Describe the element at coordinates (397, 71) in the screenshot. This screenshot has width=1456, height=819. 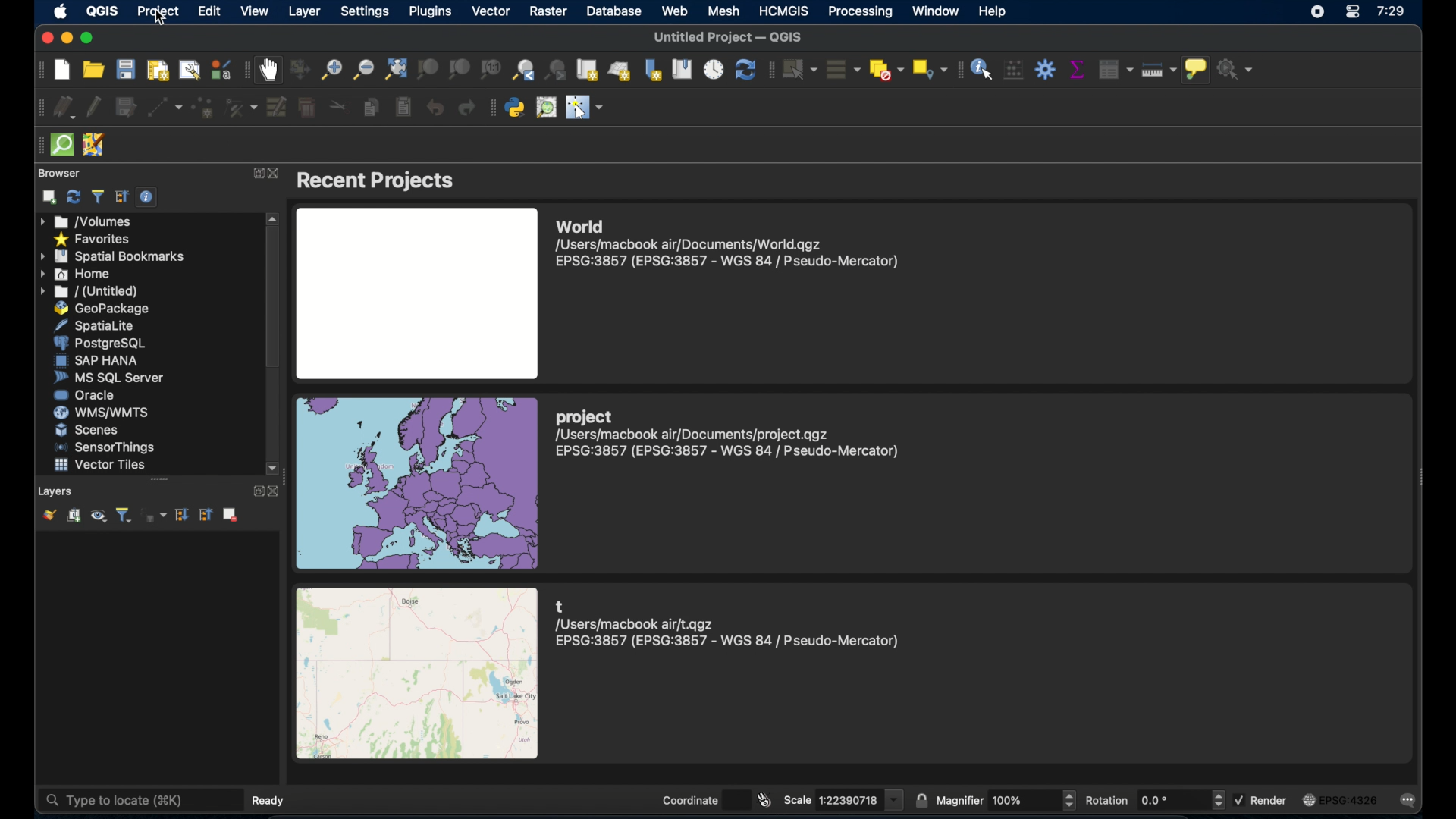
I see `zoom full` at that location.